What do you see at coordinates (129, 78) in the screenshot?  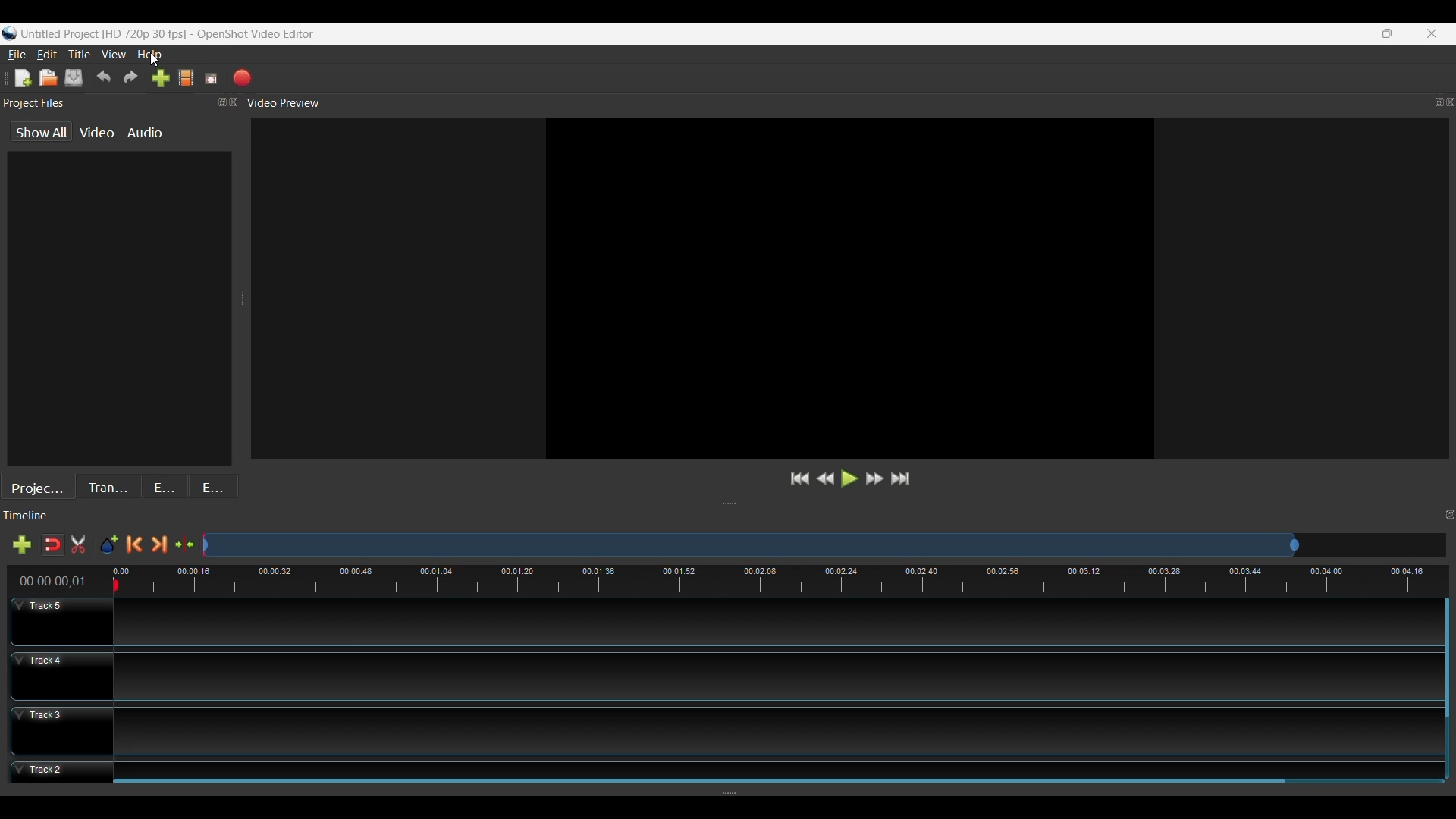 I see `Redo` at bounding box center [129, 78].